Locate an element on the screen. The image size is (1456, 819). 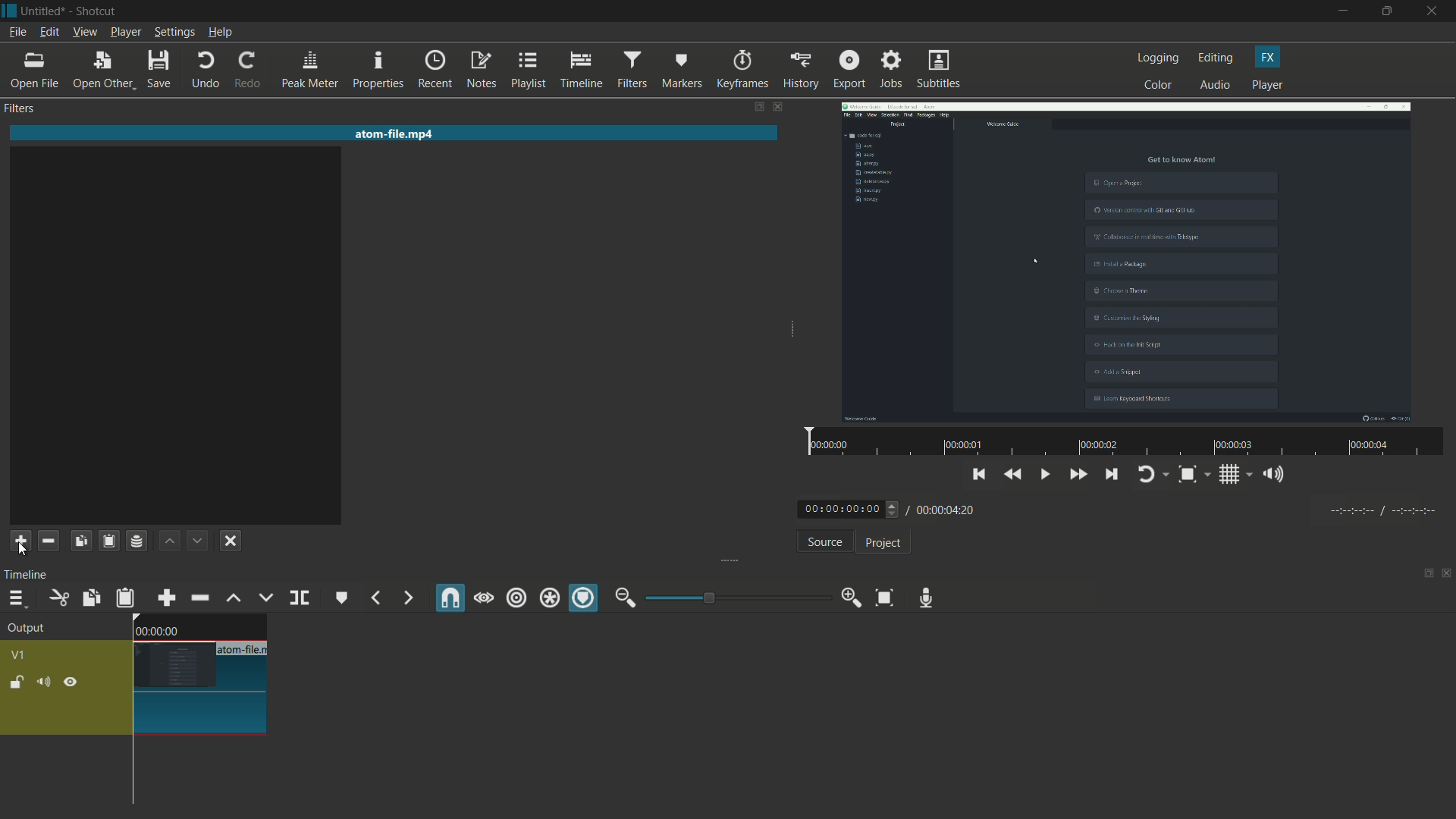
close filter pane is located at coordinates (780, 108).